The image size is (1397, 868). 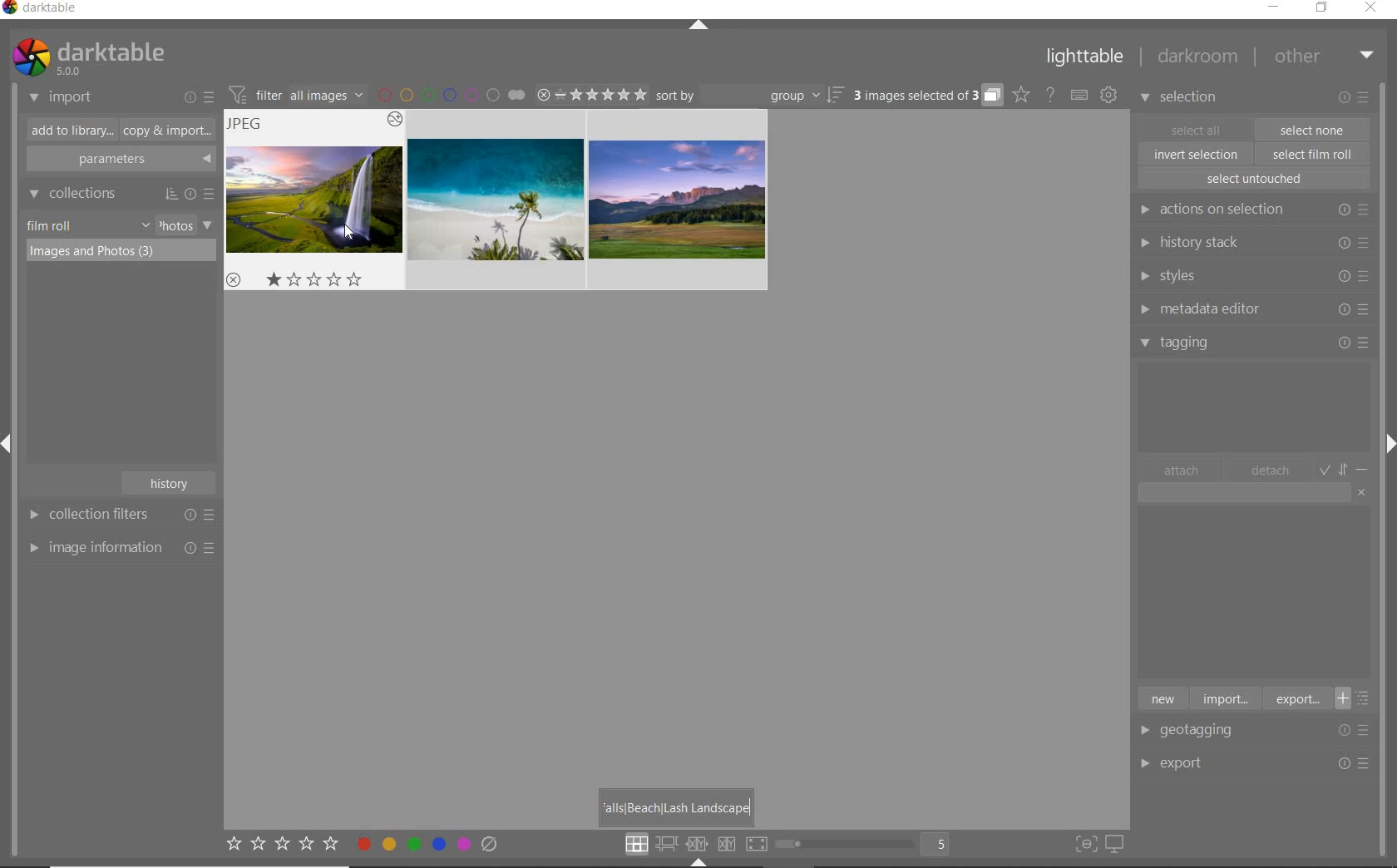 I want to click on export, so click(x=1201, y=762).